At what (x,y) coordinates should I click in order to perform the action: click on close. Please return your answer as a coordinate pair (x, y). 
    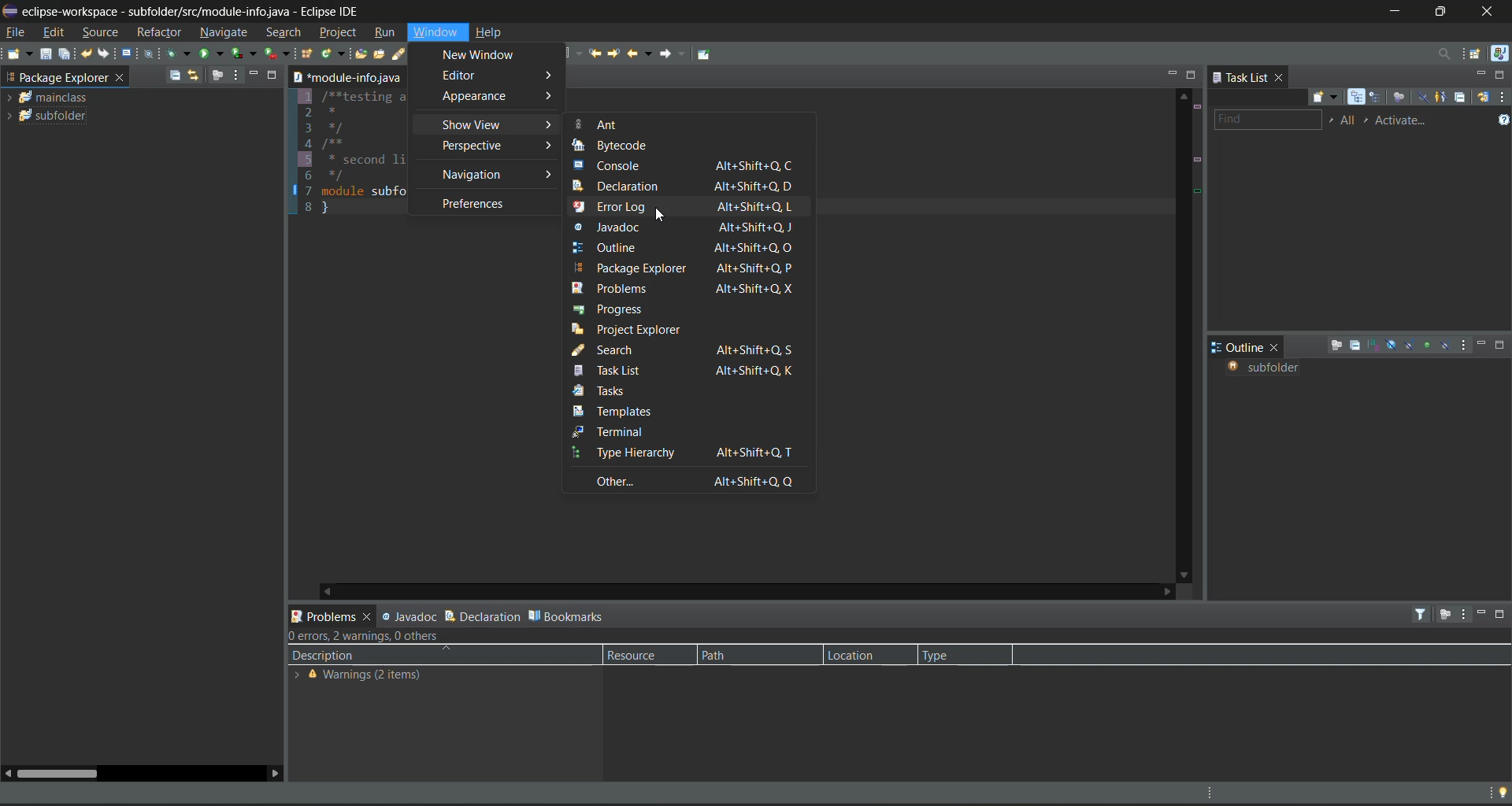
    Looking at the image, I should click on (1280, 76).